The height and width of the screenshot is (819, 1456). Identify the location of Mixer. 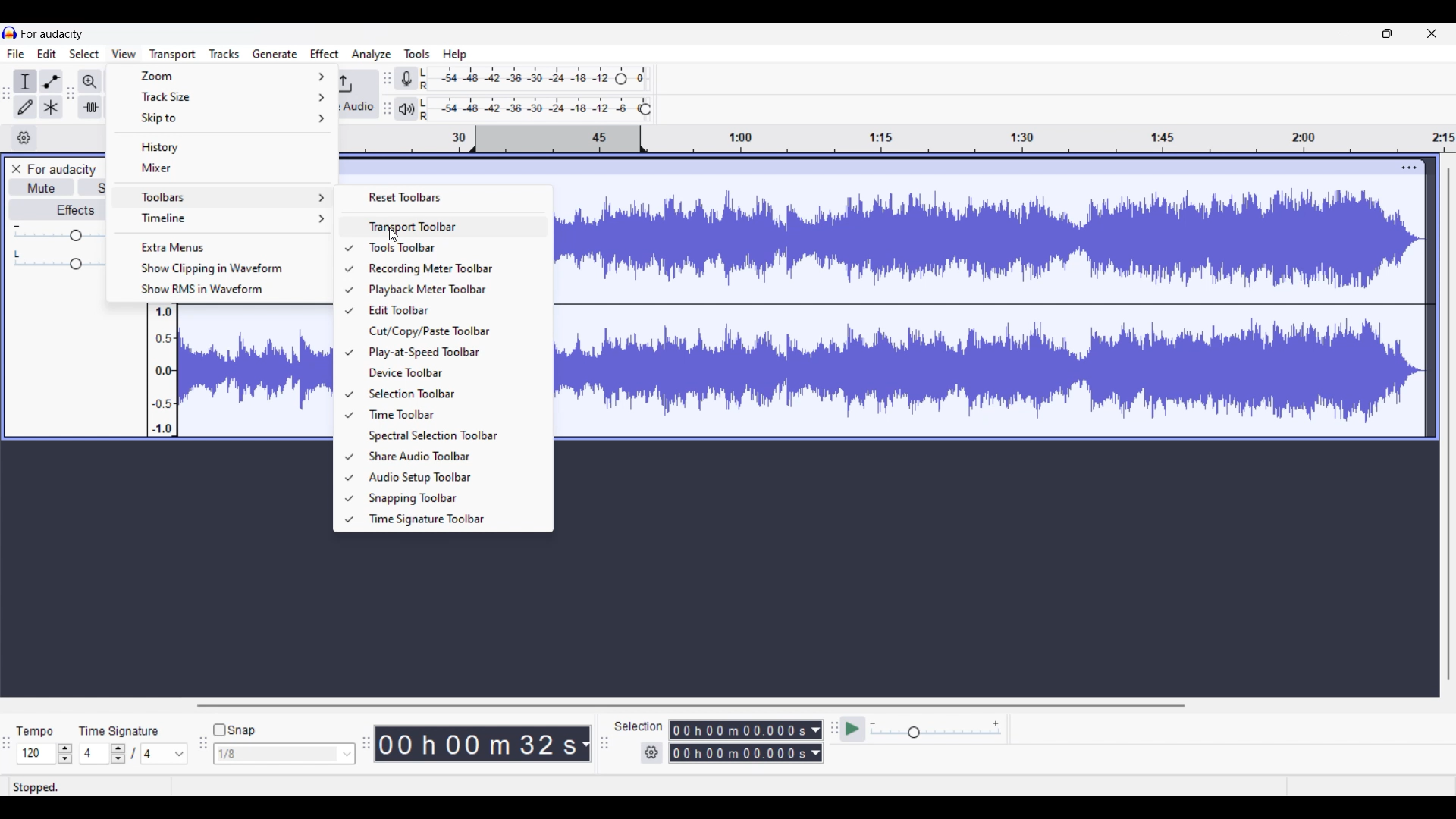
(222, 168).